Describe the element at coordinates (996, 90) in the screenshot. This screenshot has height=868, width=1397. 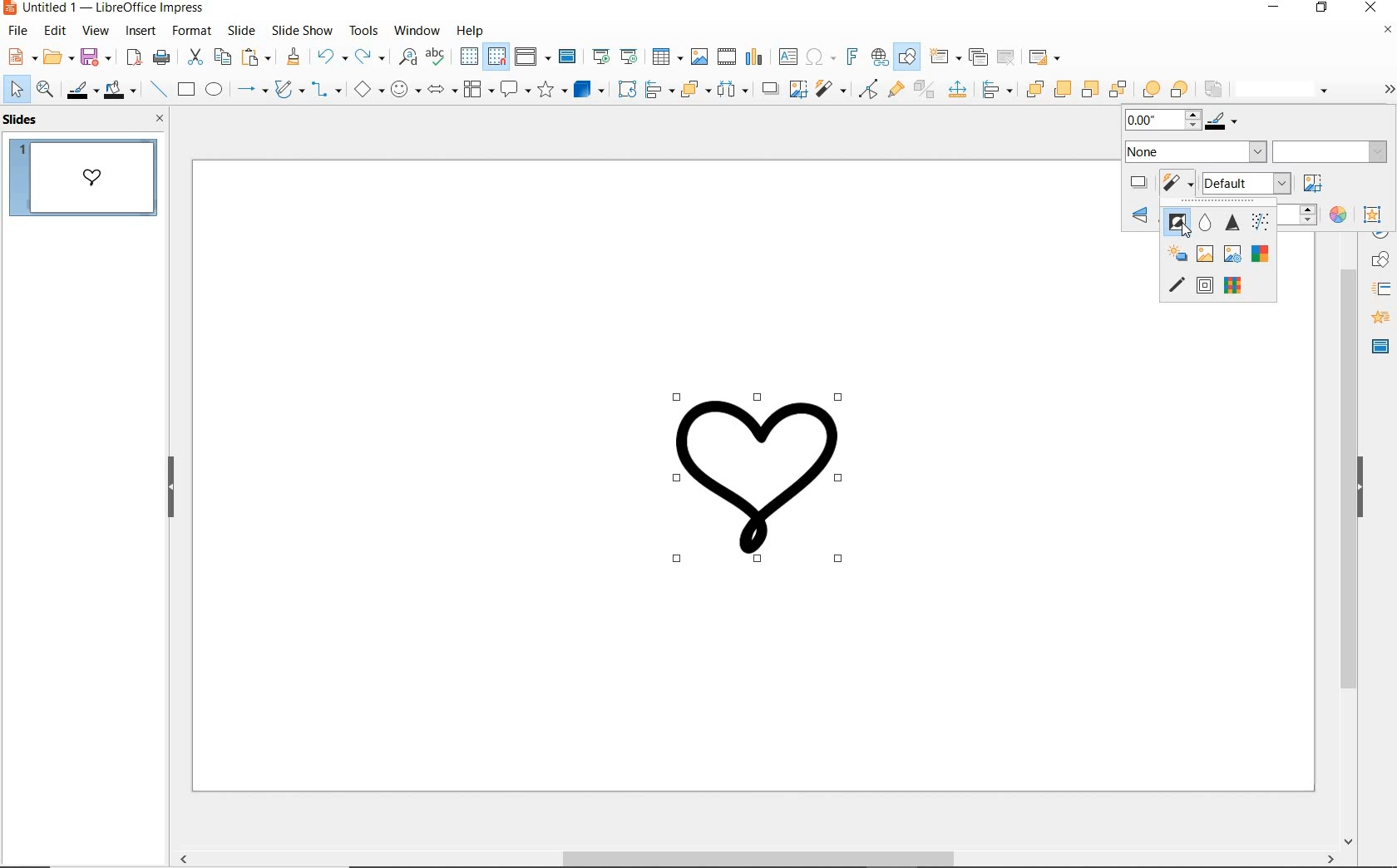
I see `` at that location.